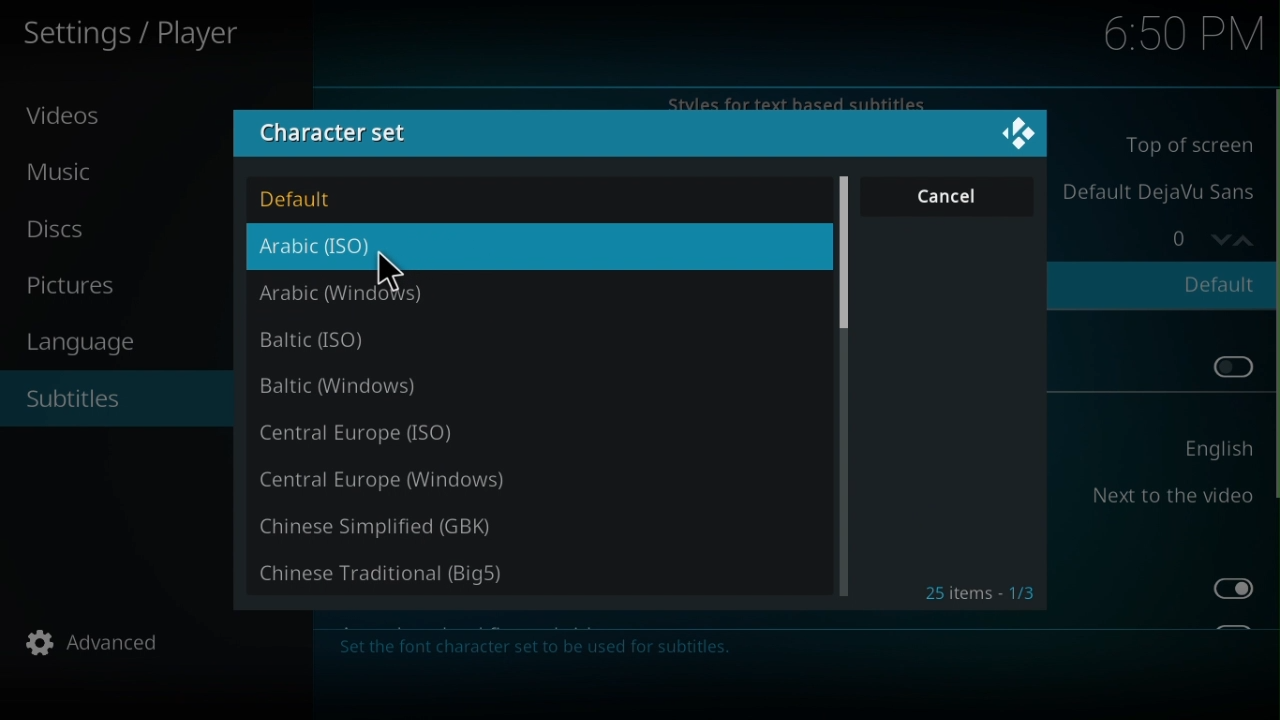 The width and height of the screenshot is (1280, 720). Describe the element at coordinates (322, 338) in the screenshot. I see `Baltic (ISO)` at that location.